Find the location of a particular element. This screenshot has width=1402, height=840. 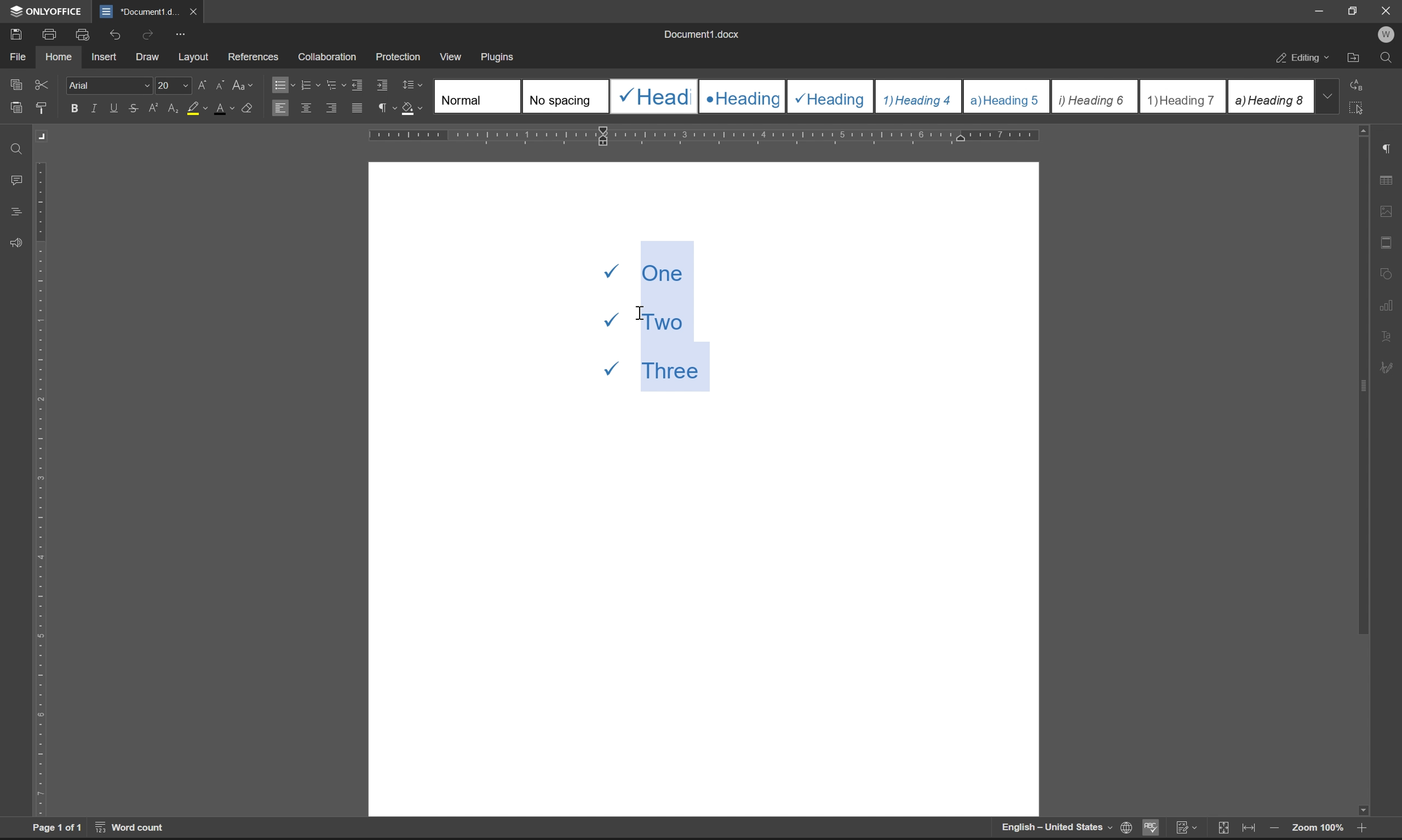

restore down is located at coordinates (1356, 10).